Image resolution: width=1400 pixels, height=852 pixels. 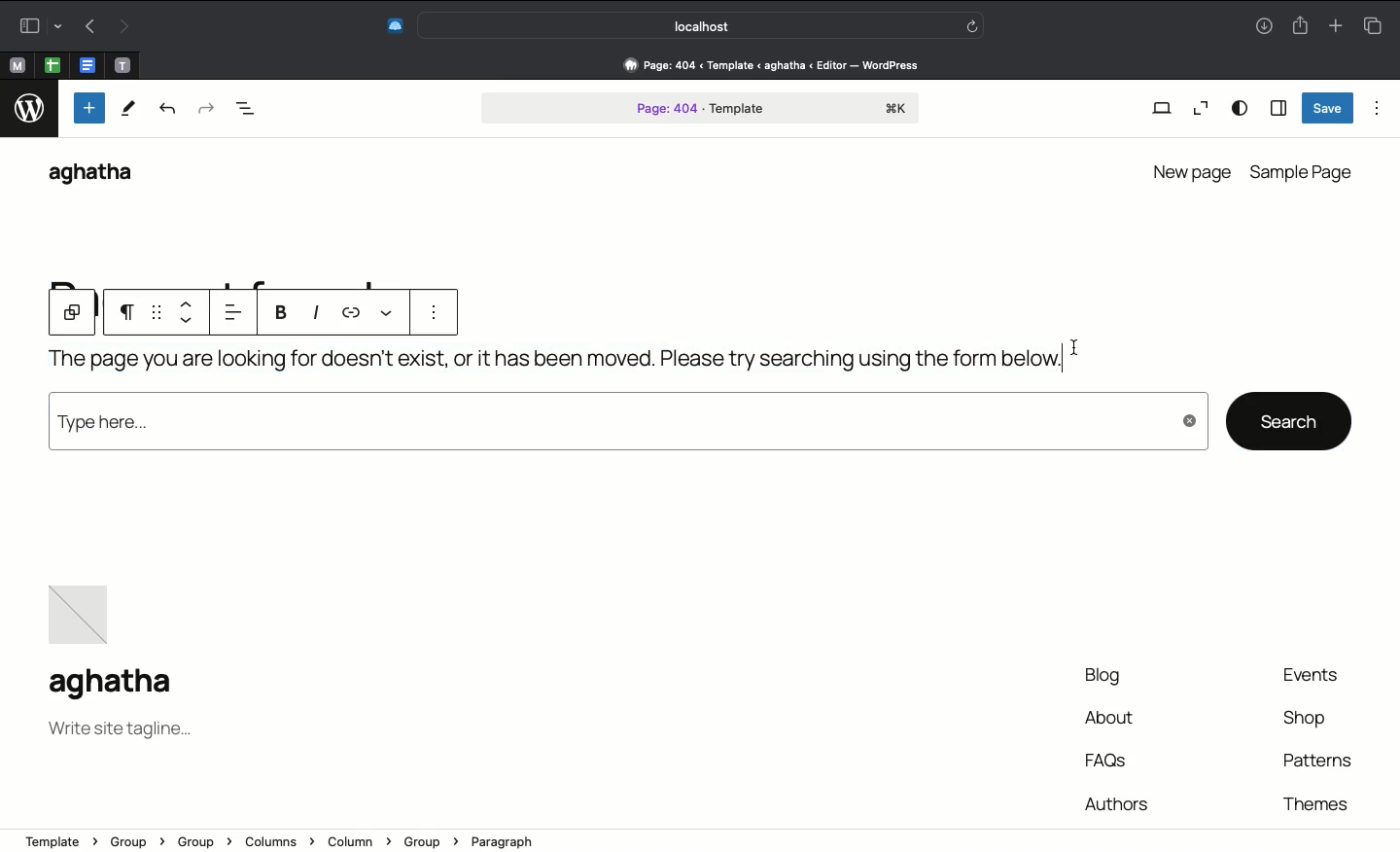 What do you see at coordinates (1076, 347) in the screenshot?
I see `Typing cursor` at bounding box center [1076, 347].